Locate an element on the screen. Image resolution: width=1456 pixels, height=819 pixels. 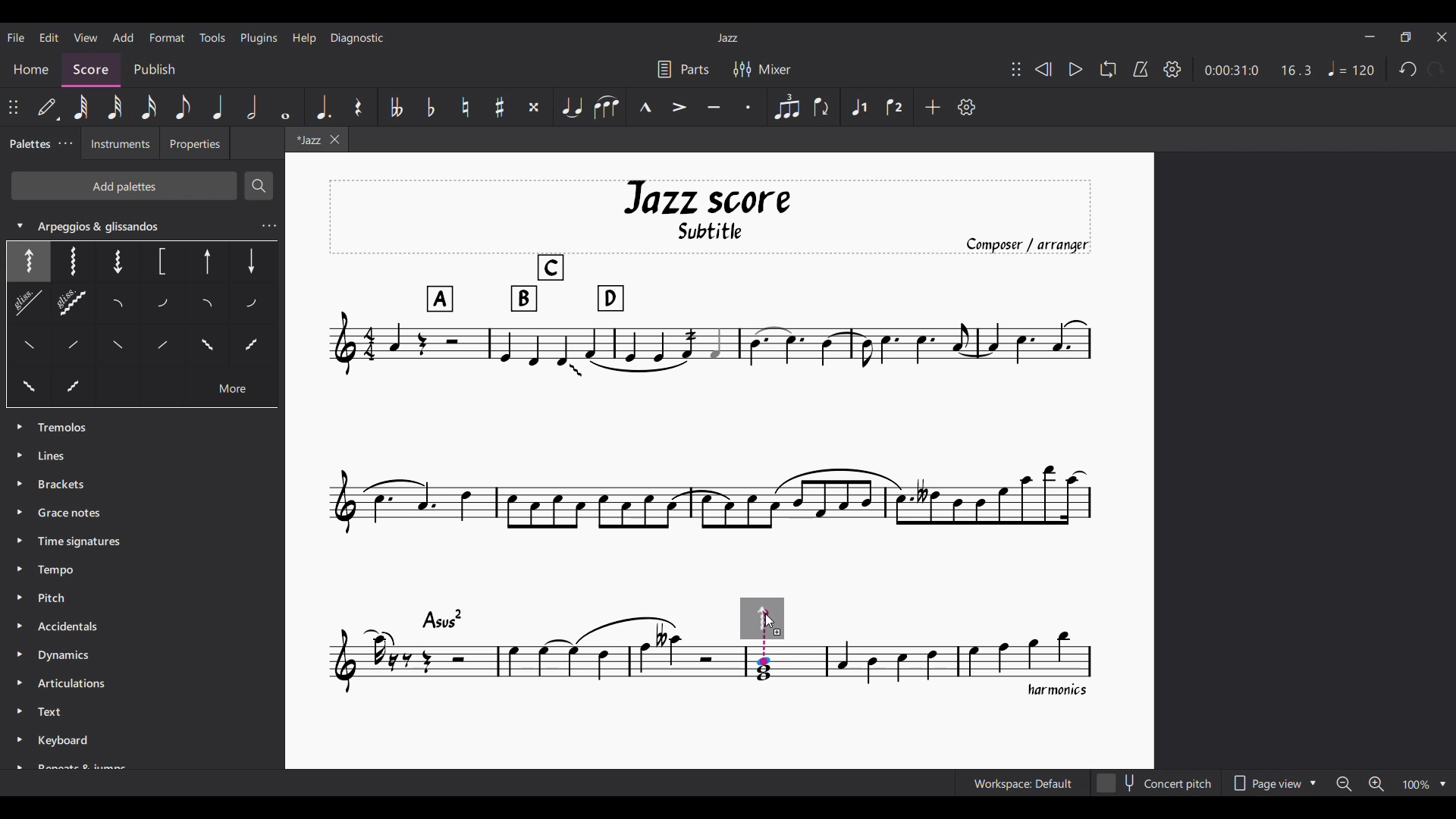
64th note is located at coordinates (81, 107).